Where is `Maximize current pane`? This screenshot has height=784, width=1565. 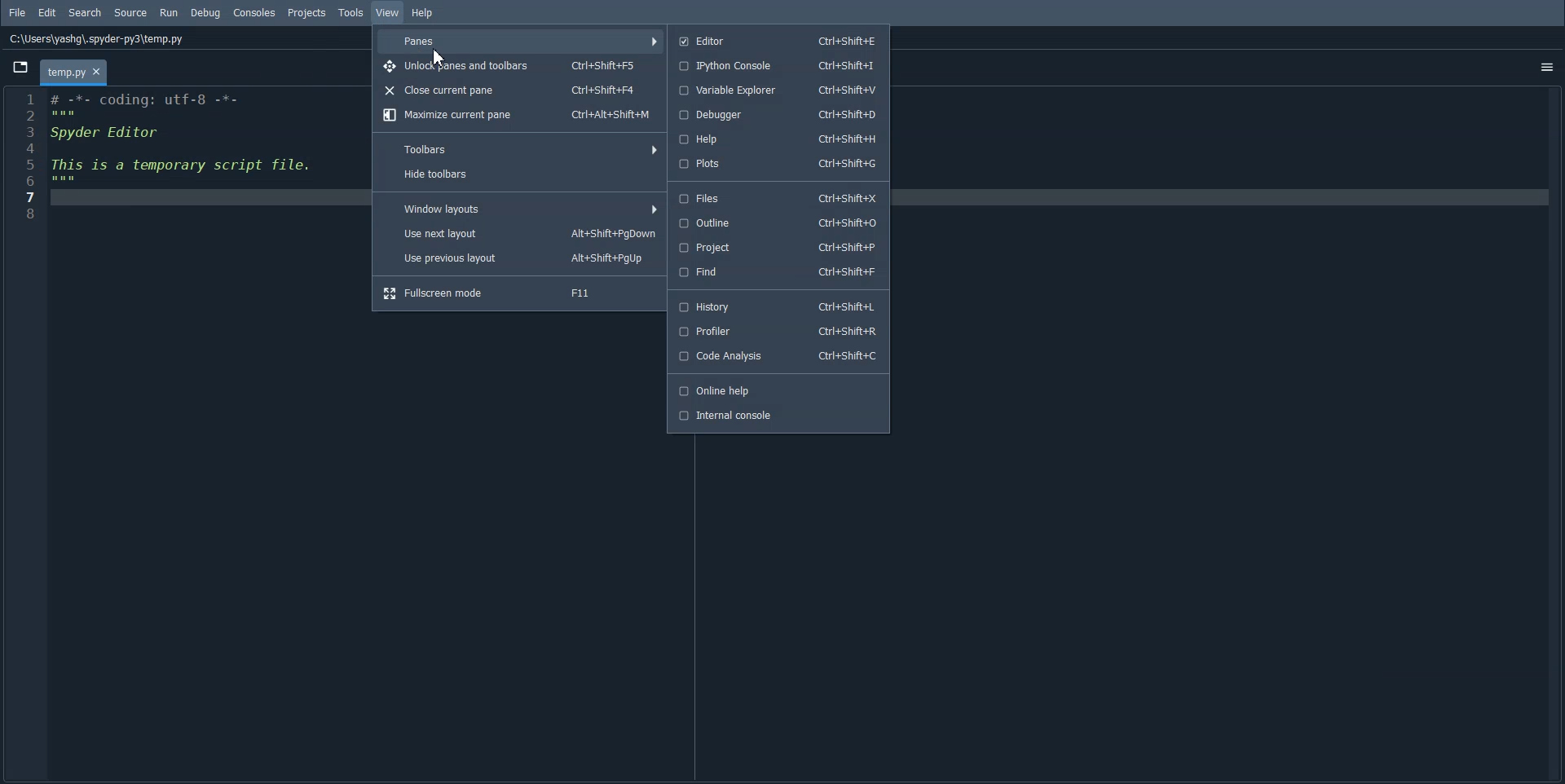 Maximize current pane is located at coordinates (518, 116).